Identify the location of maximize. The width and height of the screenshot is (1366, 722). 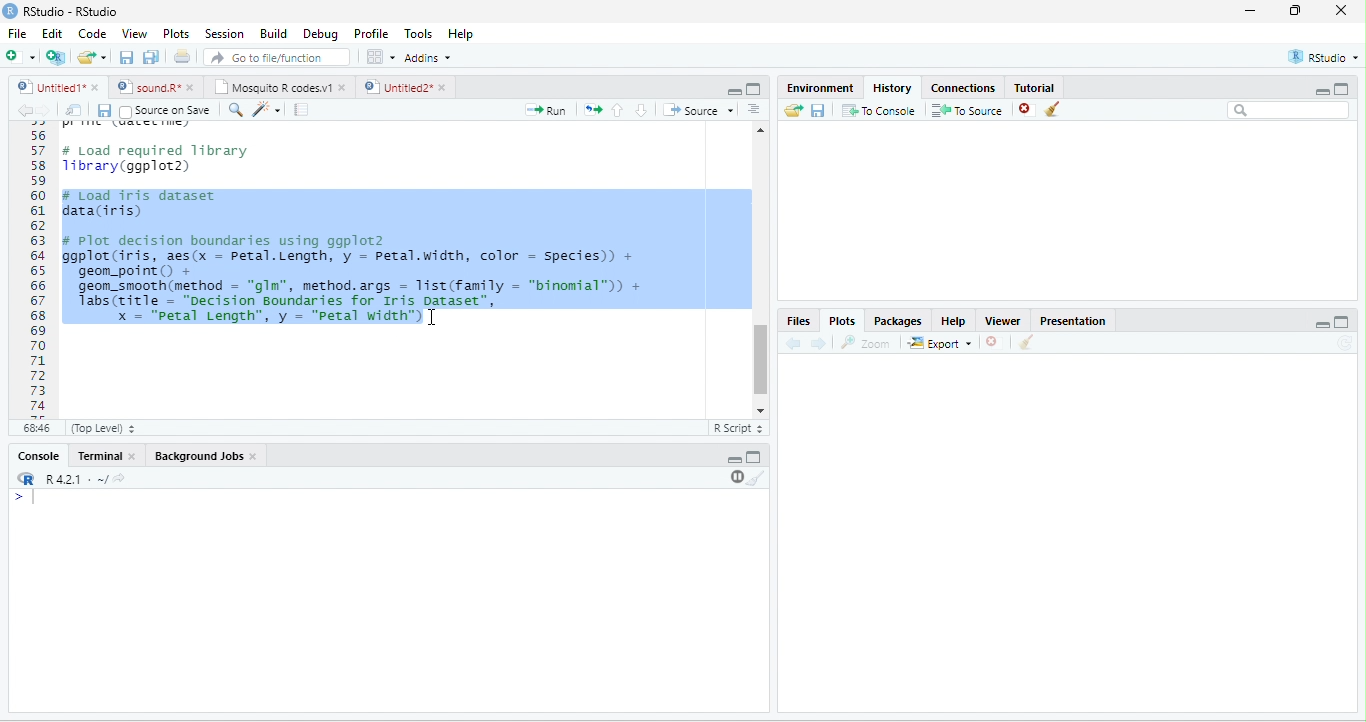
(754, 89).